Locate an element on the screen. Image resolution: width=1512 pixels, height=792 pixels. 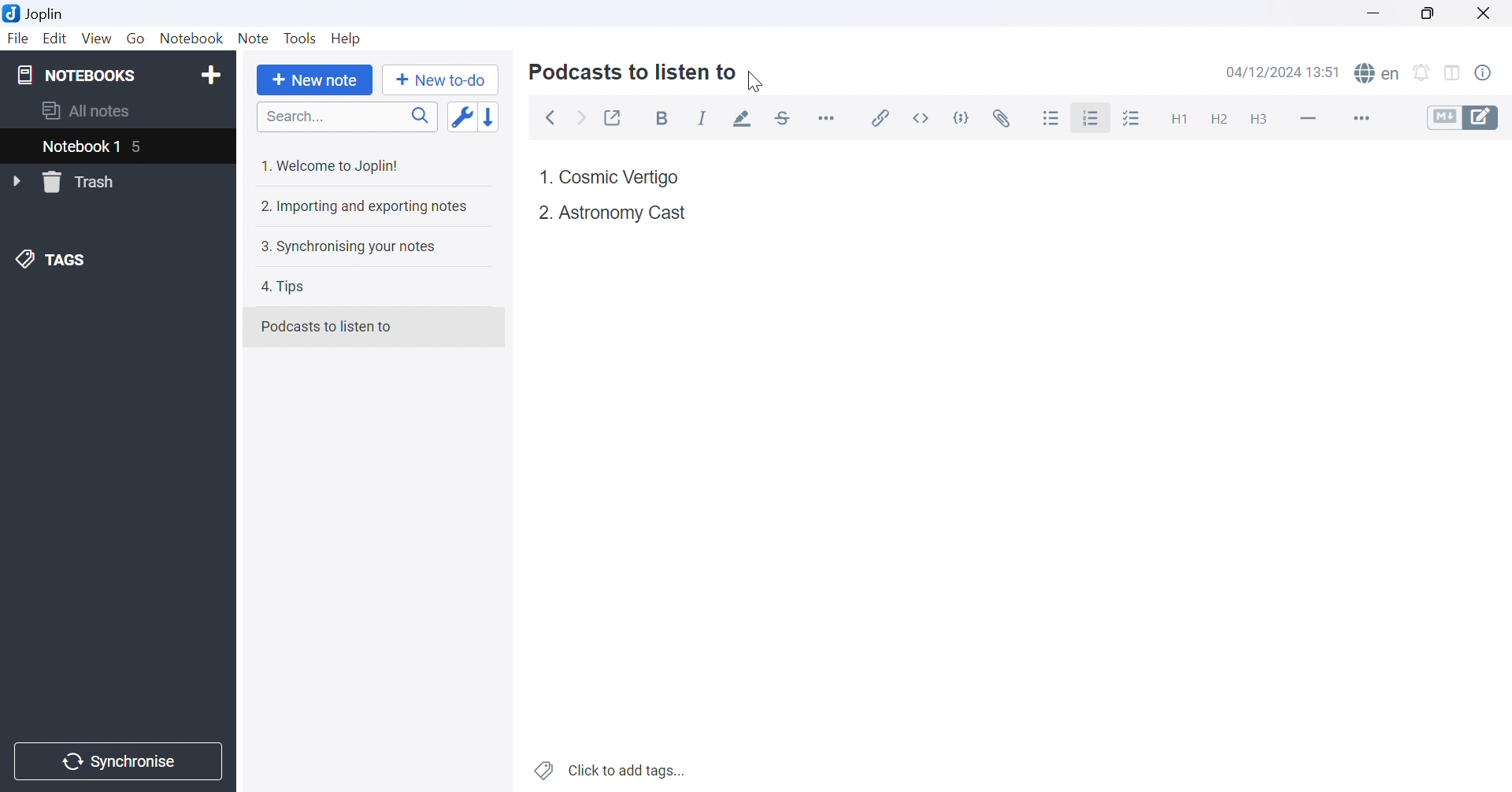
Restore Down is located at coordinates (1425, 12).